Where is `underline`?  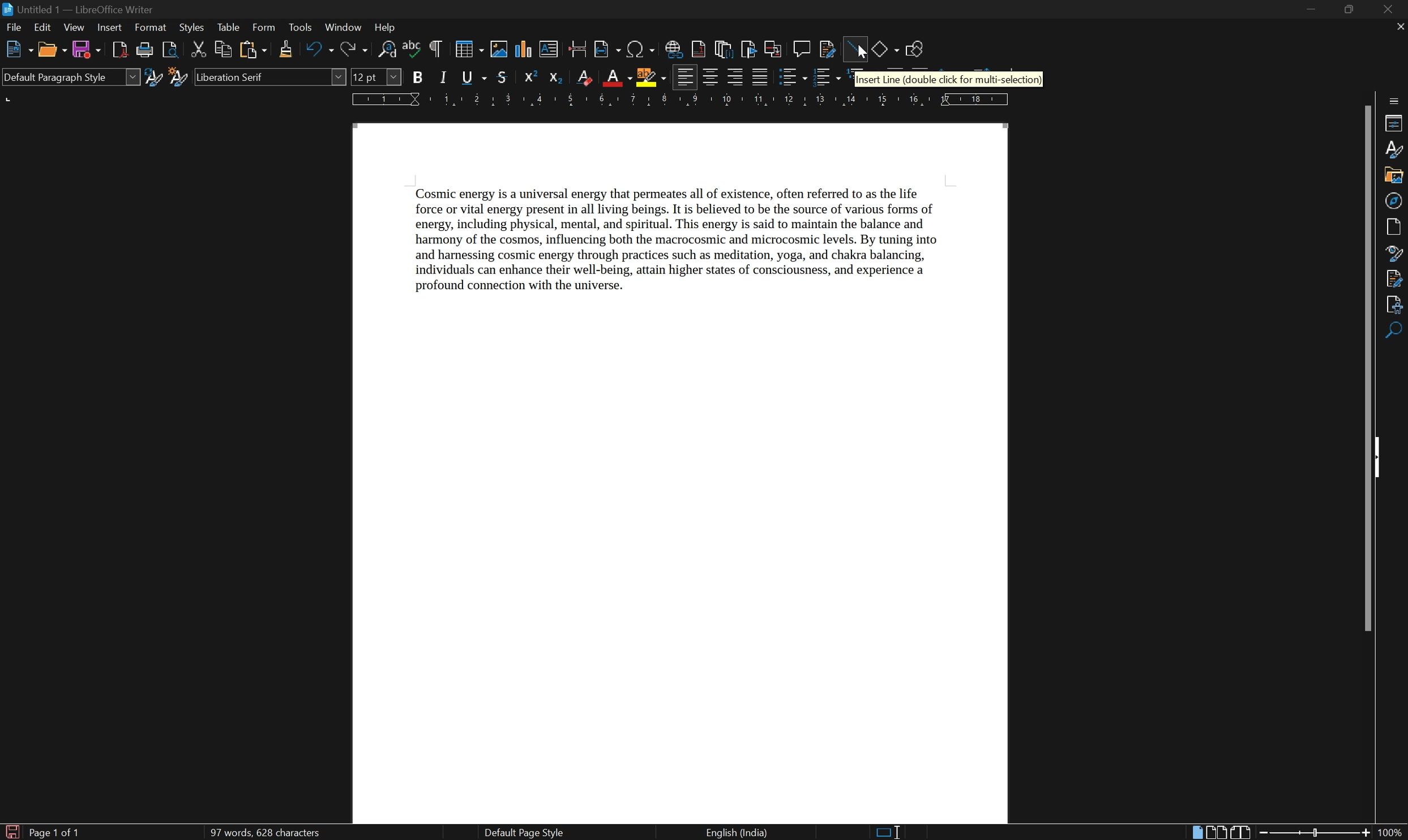
underline is located at coordinates (476, 76).